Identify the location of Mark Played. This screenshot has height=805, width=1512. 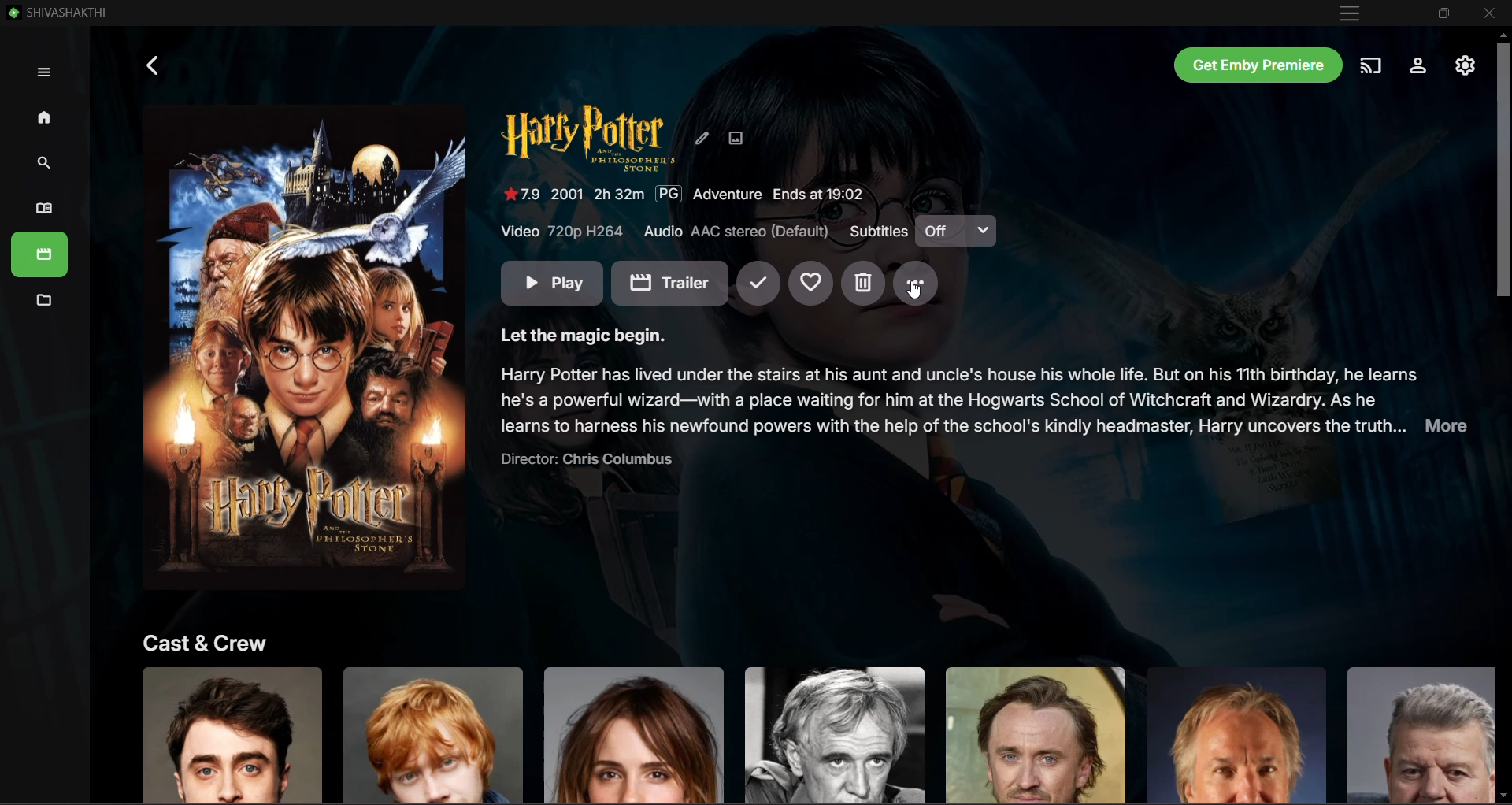
(758, 284).